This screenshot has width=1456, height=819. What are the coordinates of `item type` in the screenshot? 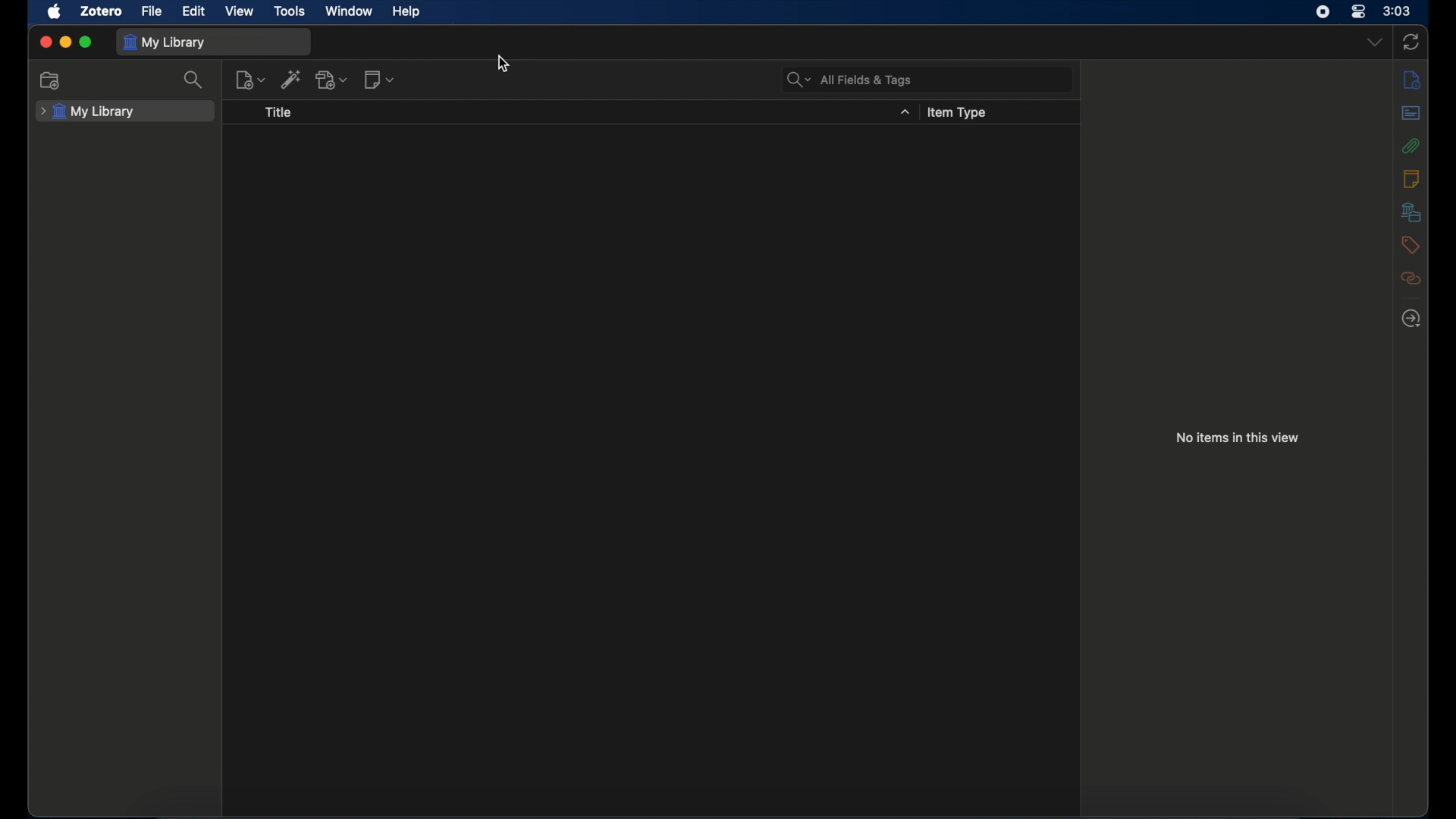 It's located at (959, 115).